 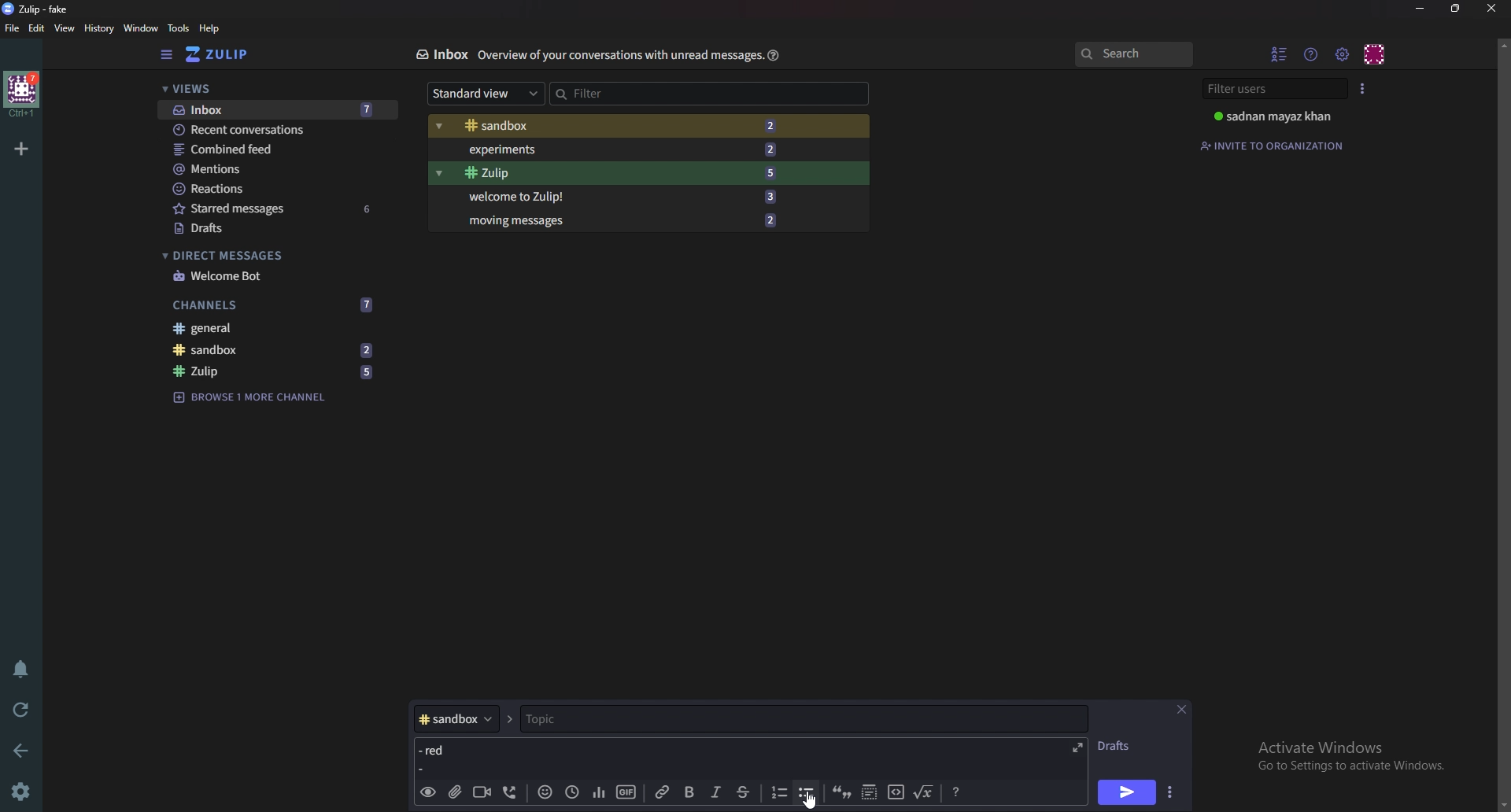 What do you see at coordinates (618, 149) in the screenshot?
I see `Experiments` at bounding box center [618, 149].